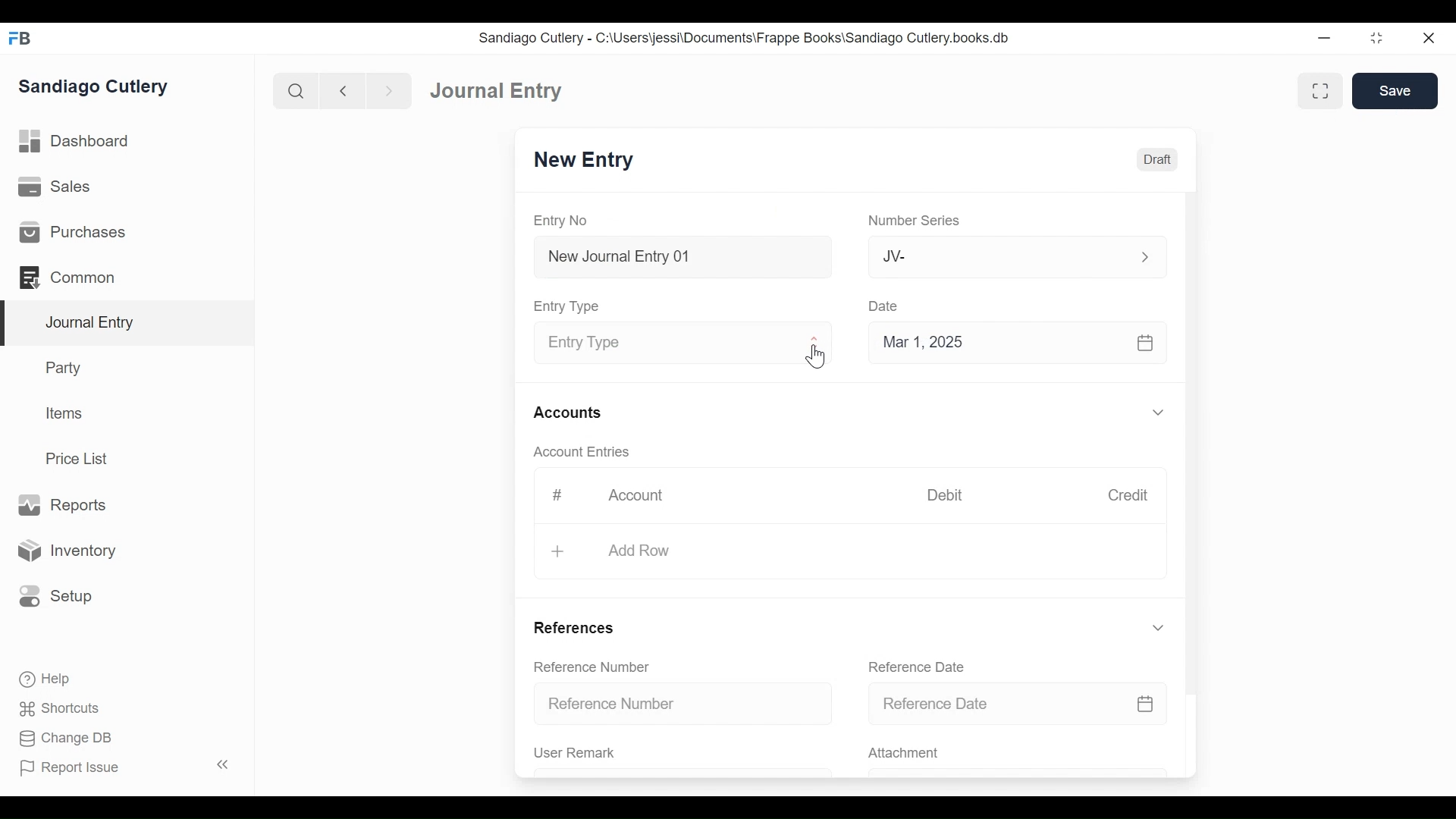  I want to click on search , so click(293, 88).